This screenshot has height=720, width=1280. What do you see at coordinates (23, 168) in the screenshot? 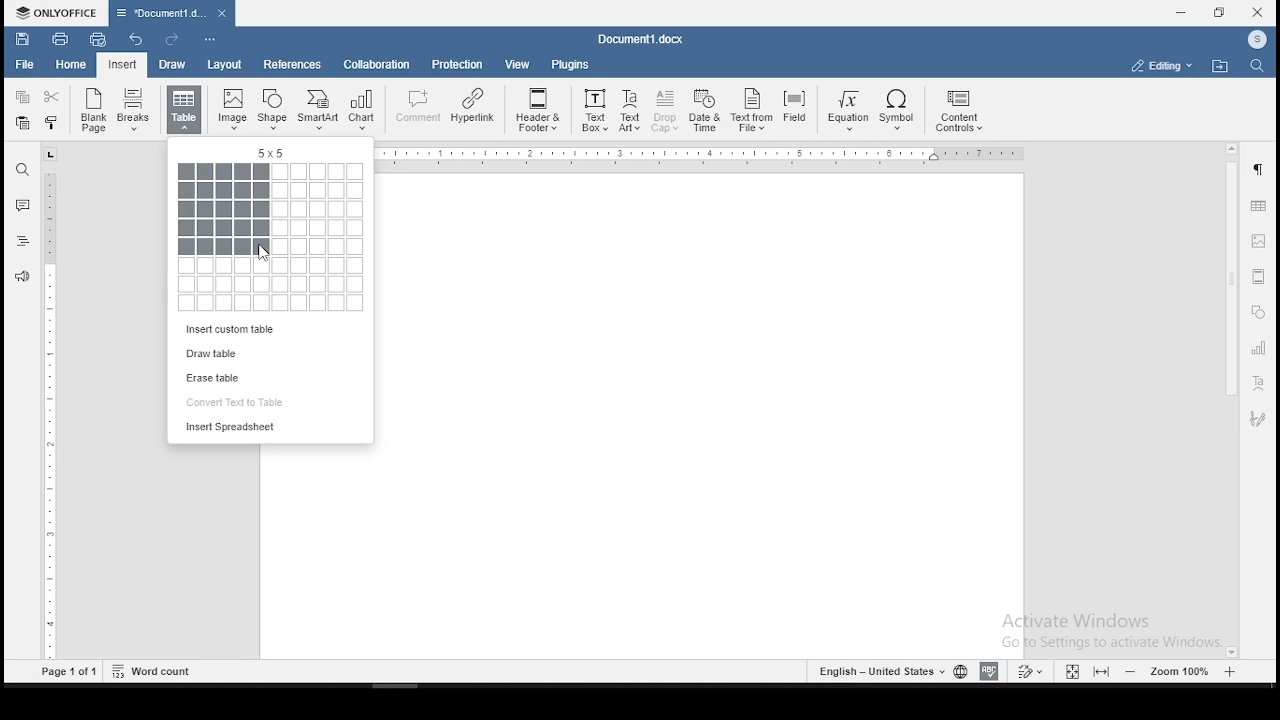
I see `find` at bounding box center [23, 168].